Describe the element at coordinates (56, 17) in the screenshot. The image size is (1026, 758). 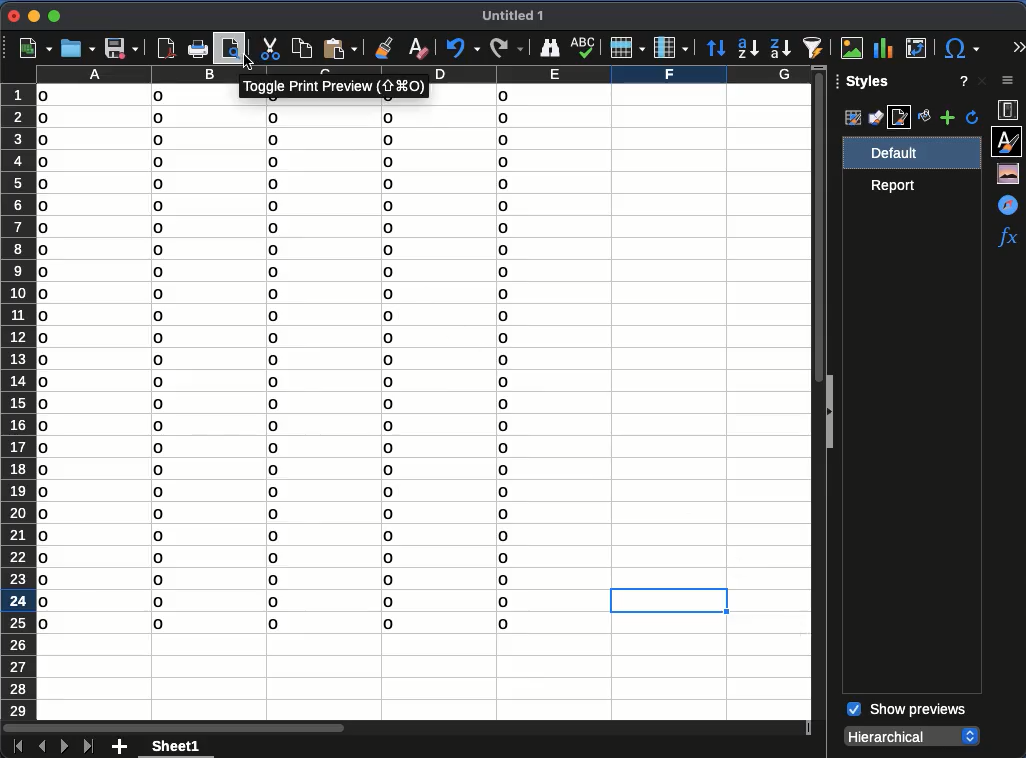
I see `maximize` at that location.